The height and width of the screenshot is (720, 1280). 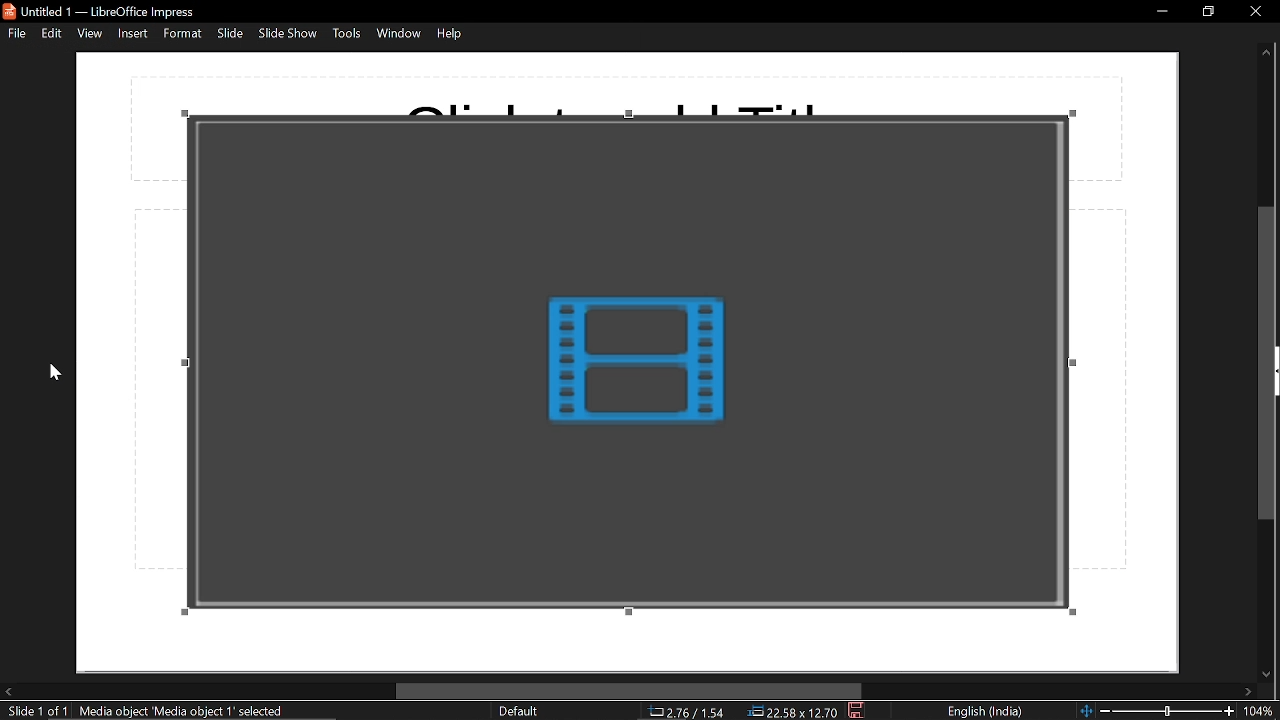 What do you see at coordinates (107, 11) in the screenshot?
I see `p Untitled 1 — LibreOffice Impress` at bounding box center [107, 11].